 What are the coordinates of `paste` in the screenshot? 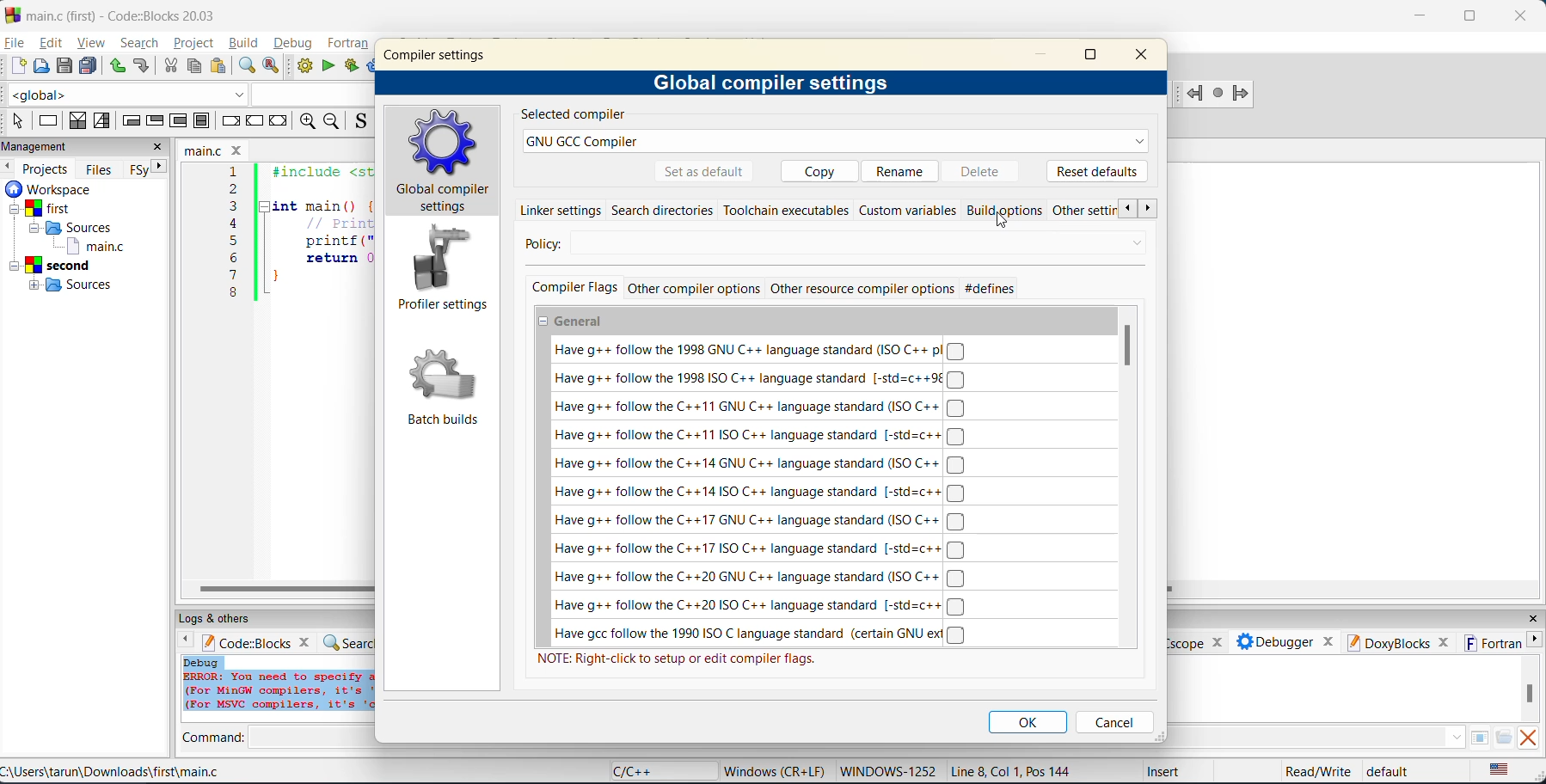 It's located at (220, 67).